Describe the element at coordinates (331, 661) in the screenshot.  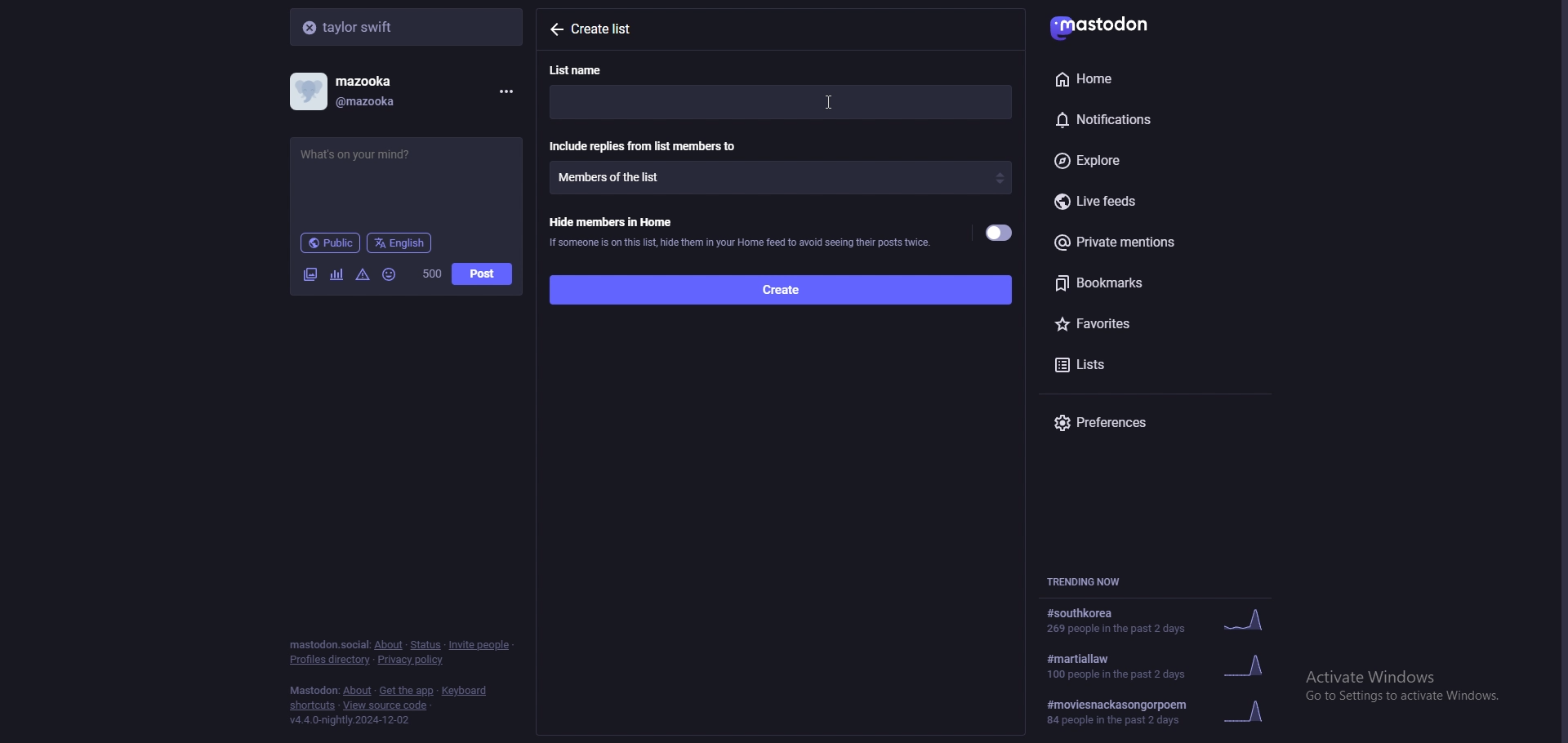
I see `profiles directory` at that location.